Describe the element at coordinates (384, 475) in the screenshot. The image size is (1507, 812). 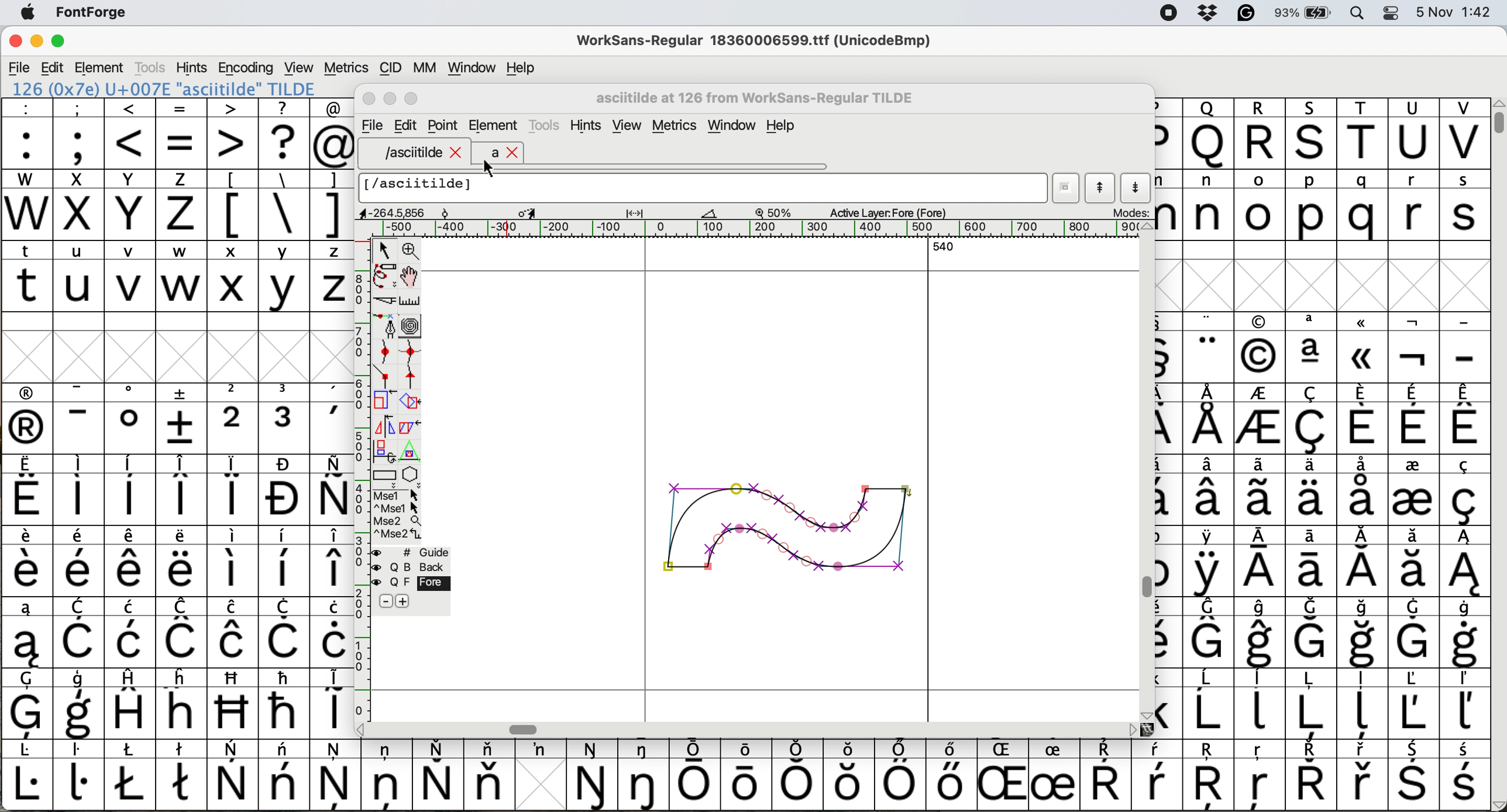
I see `Rectangle or box` at that location.